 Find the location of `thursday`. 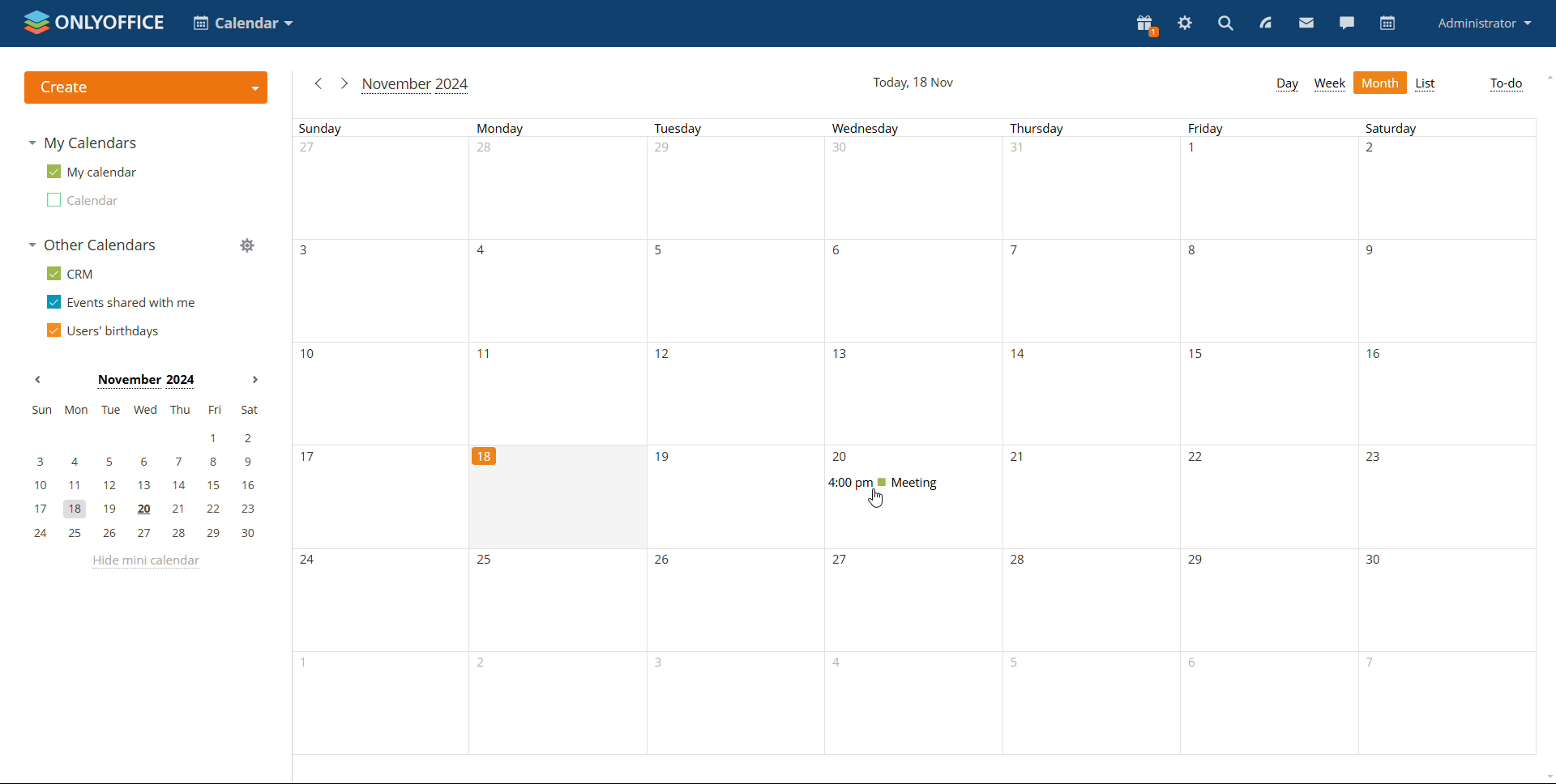

thursday is located at coordinates (1092, 437).